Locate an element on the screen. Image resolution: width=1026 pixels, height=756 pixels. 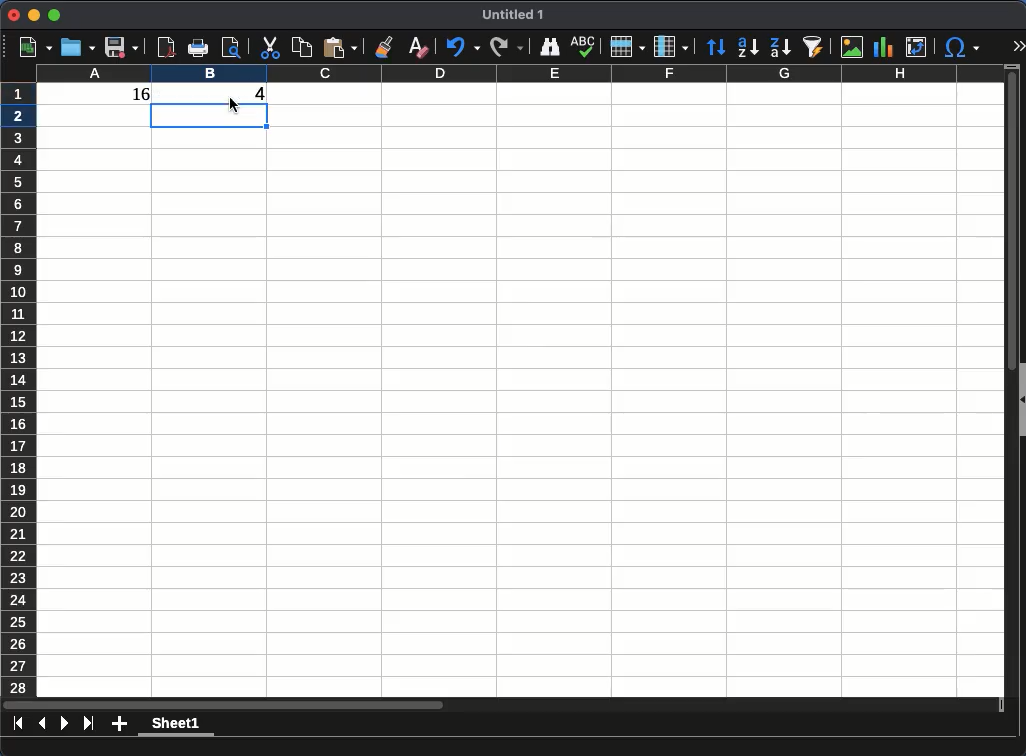
open is located at coordinates (76, 48).